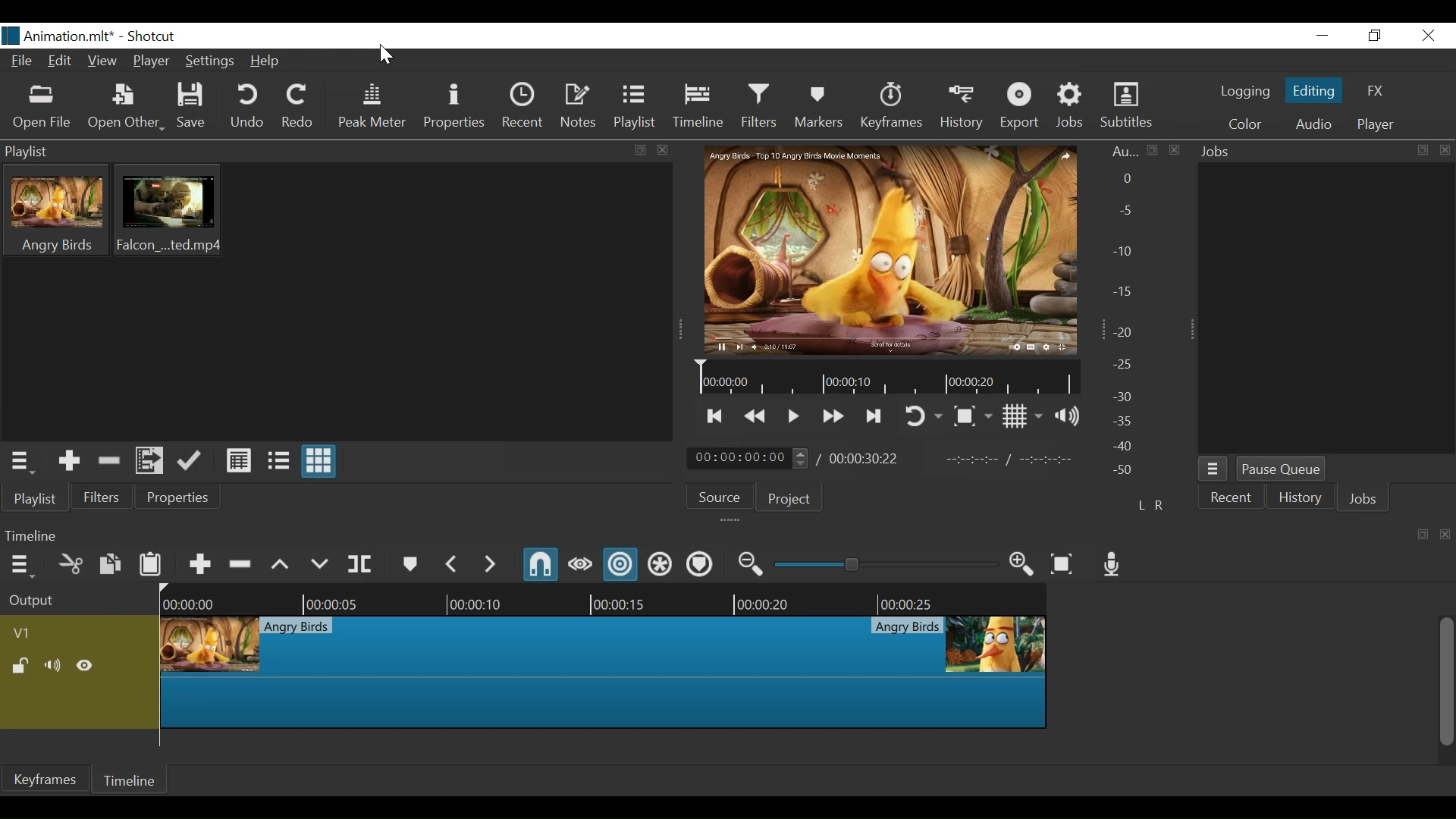 The height and width of the screenshot is (819, 1456). What do you see at coordinates (151, 562) in the screenshot?
I see `Paste` at bounding box center [151, 562].